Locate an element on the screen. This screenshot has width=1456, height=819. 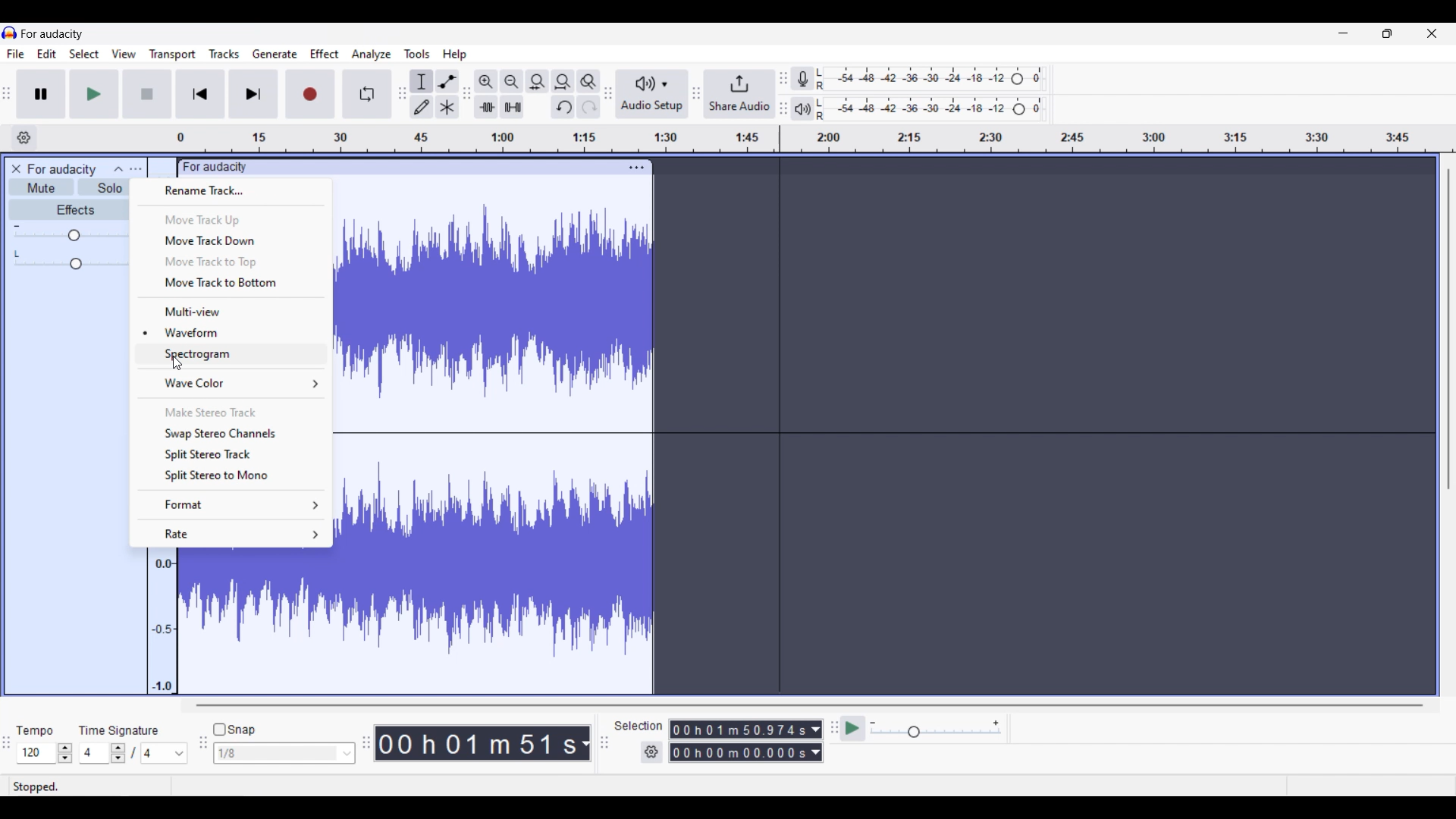
Duration measurement options is located at coordinates (585, 743).